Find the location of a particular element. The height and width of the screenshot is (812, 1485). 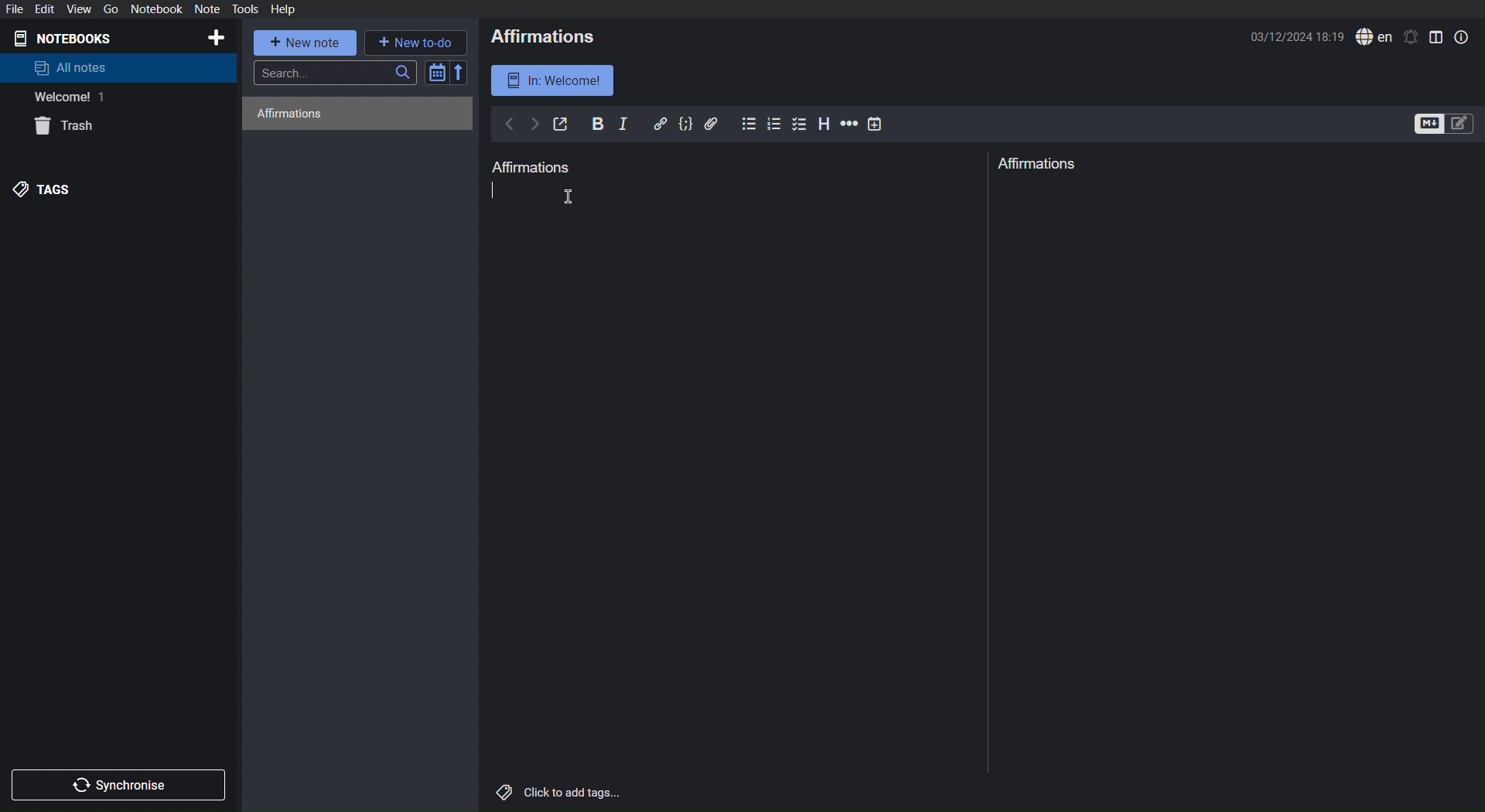

Go is located at coordinates (108, 9).